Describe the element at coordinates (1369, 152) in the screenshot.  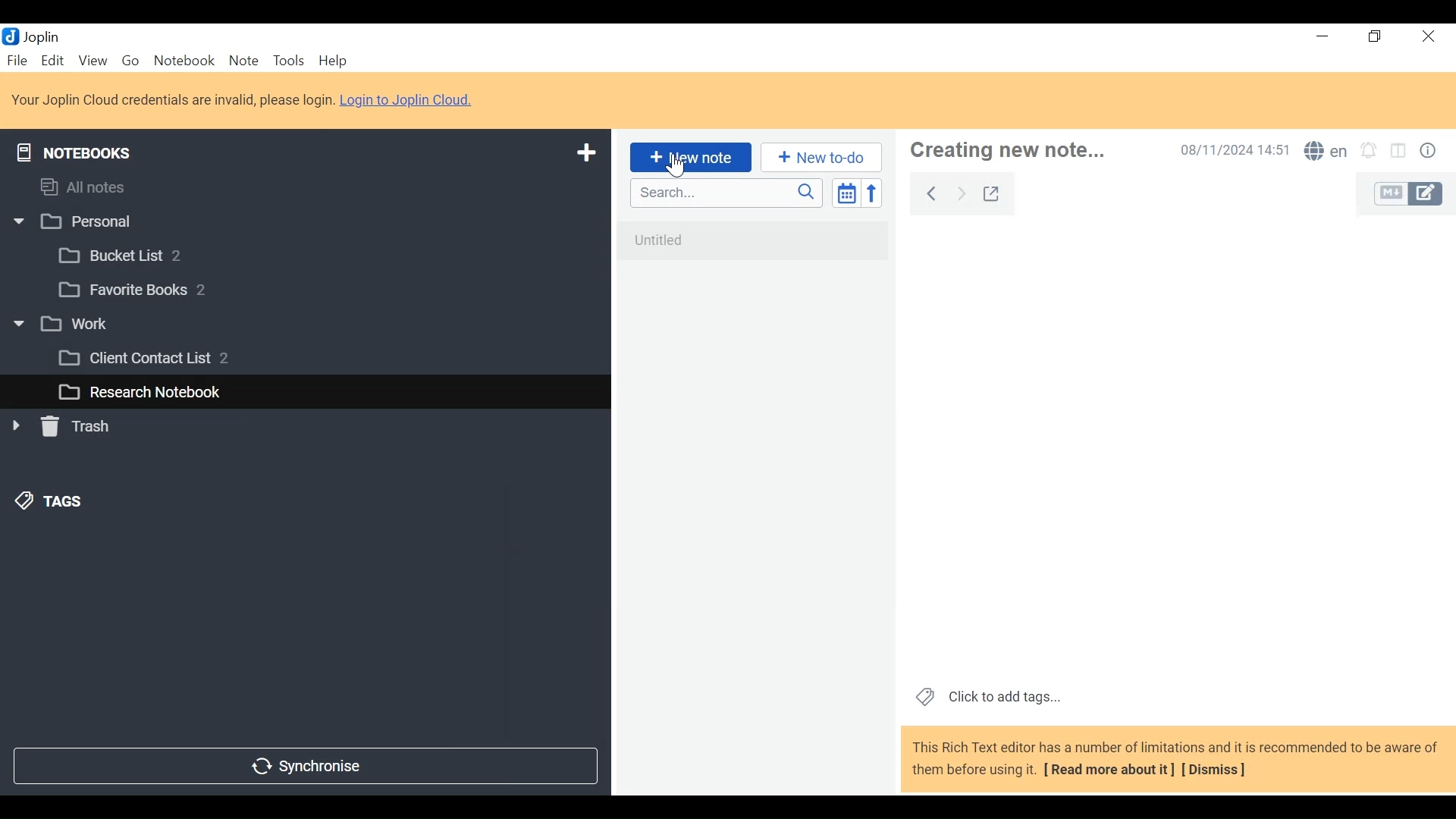
I see `Set alarm` at that location.